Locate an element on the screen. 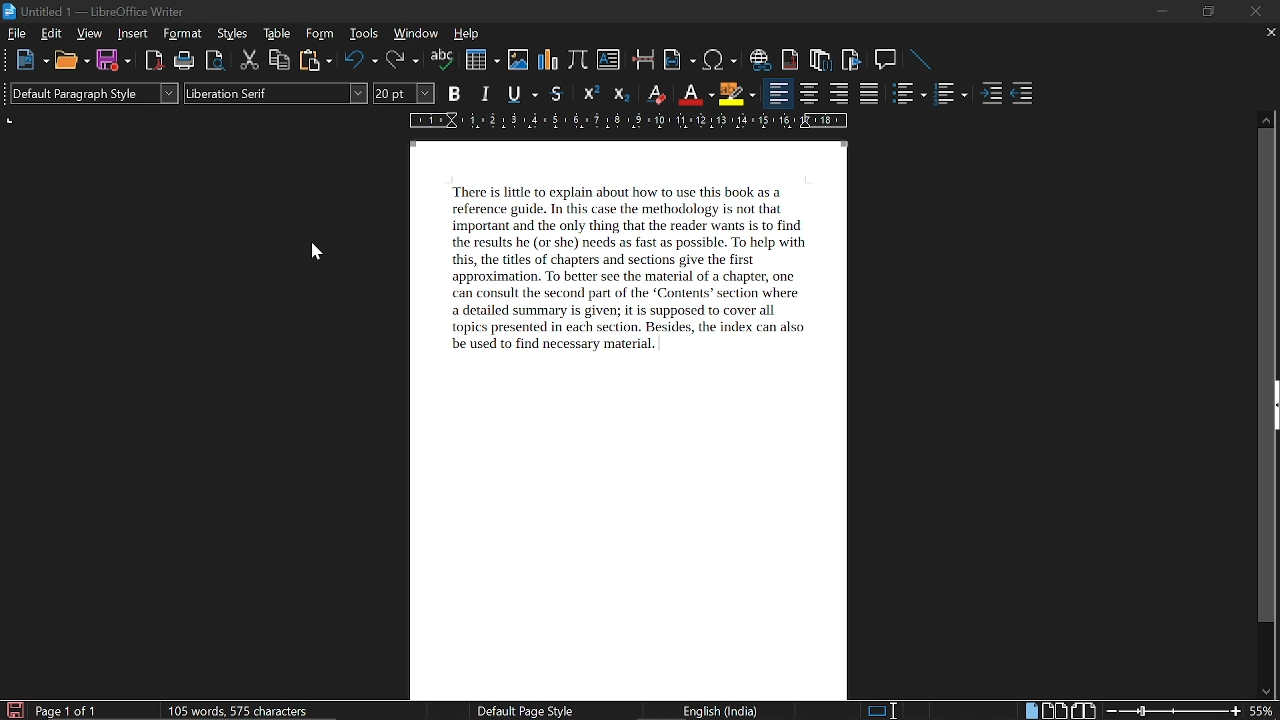 The image size is (1280, 720). insert field is located at coordinates (679, 60).